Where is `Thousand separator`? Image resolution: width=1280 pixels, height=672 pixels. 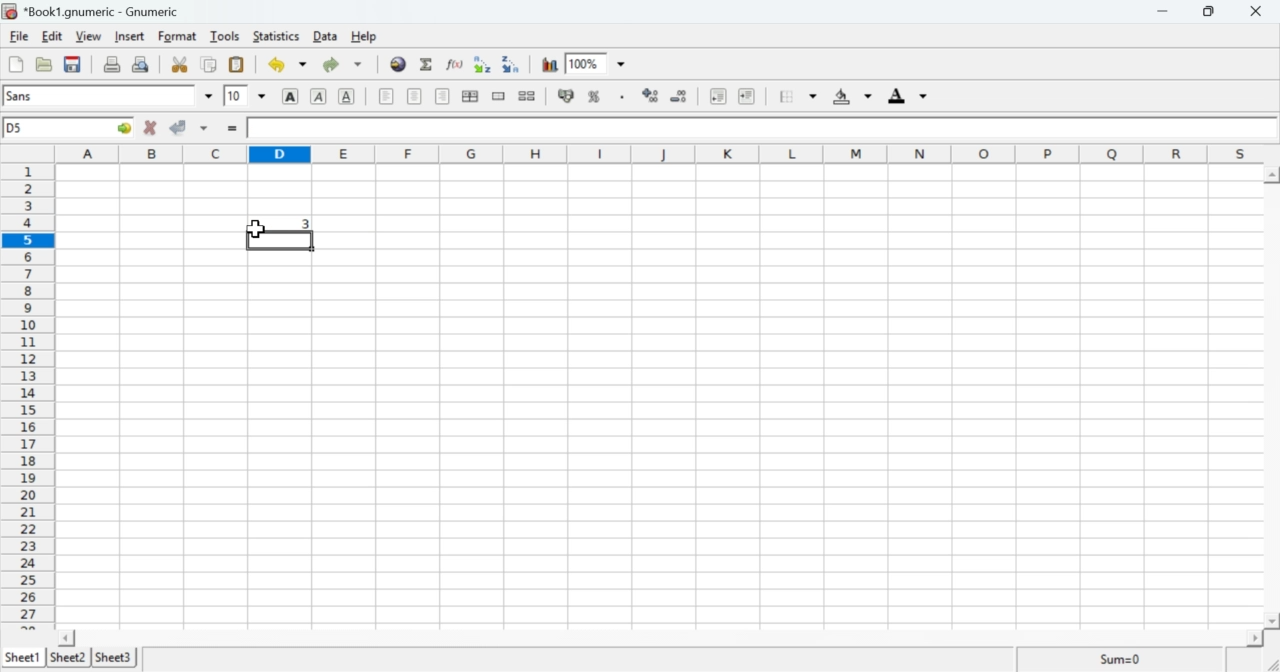
Thousand separator is located at coordinates (621, 97).